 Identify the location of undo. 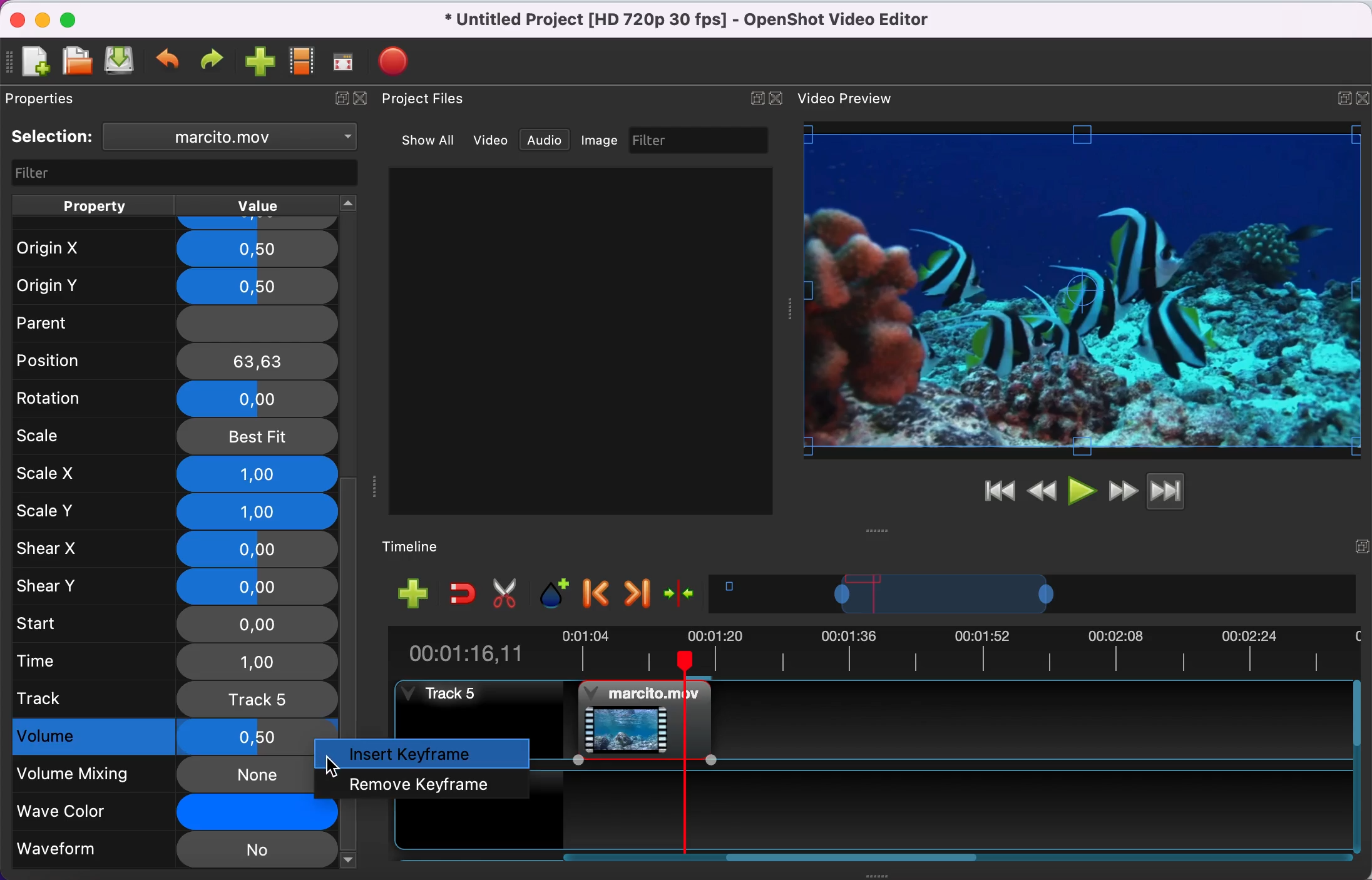
(170, 62).